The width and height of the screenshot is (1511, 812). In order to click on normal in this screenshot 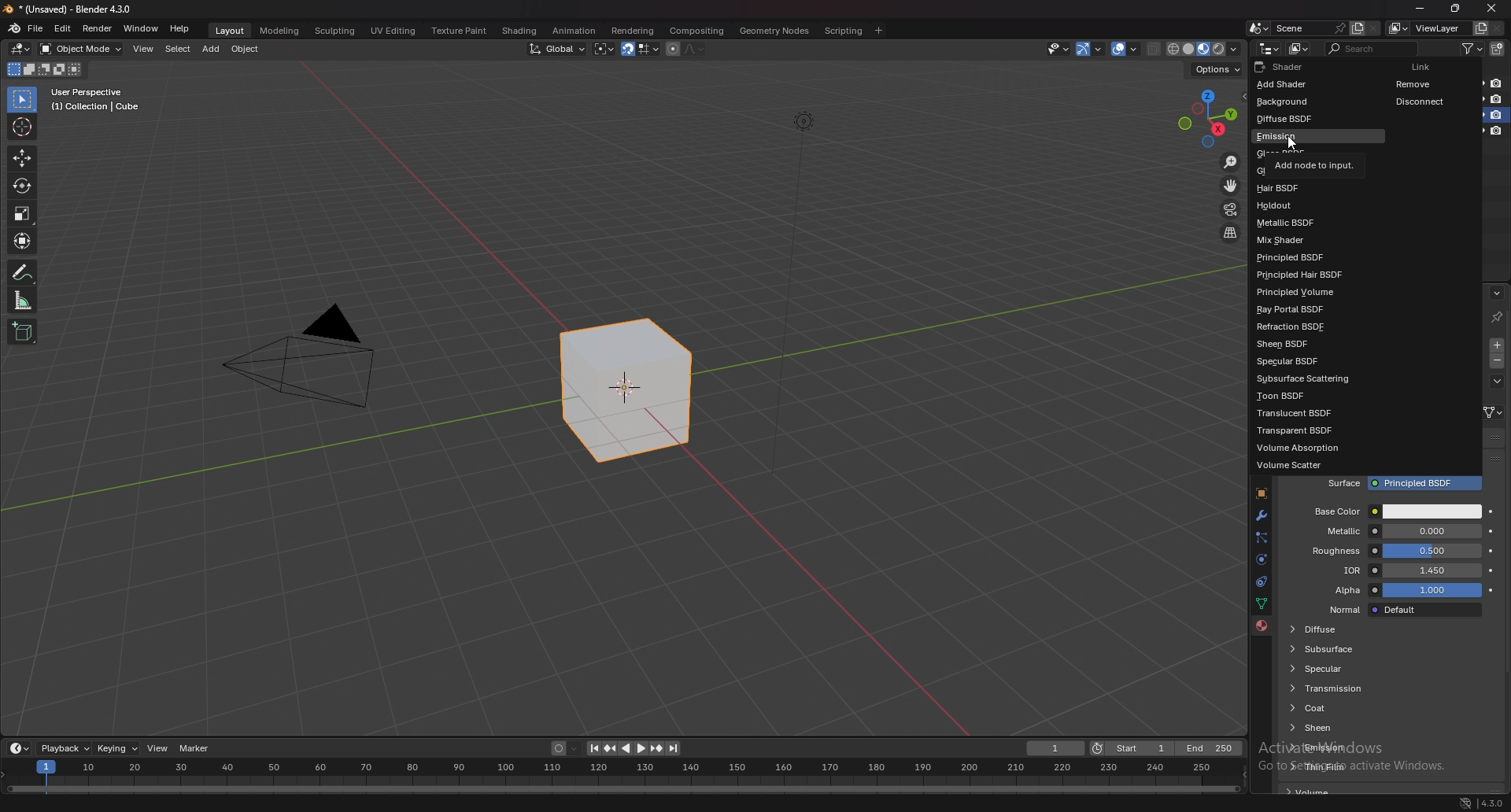, I will do `click(1401, 610)`.